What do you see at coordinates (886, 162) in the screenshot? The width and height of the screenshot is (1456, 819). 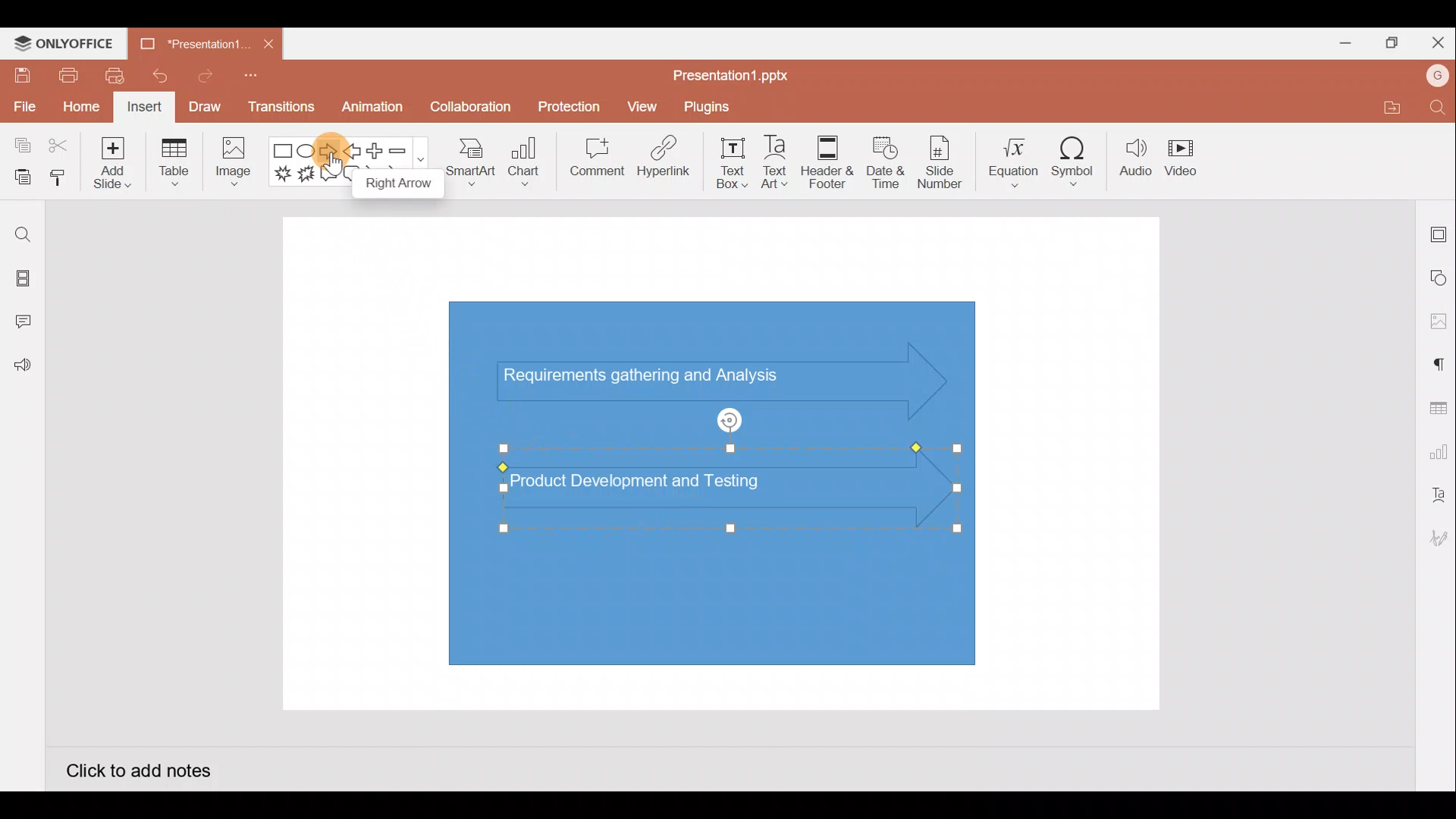 I see `Date & time` at bounding box center [886, 162].